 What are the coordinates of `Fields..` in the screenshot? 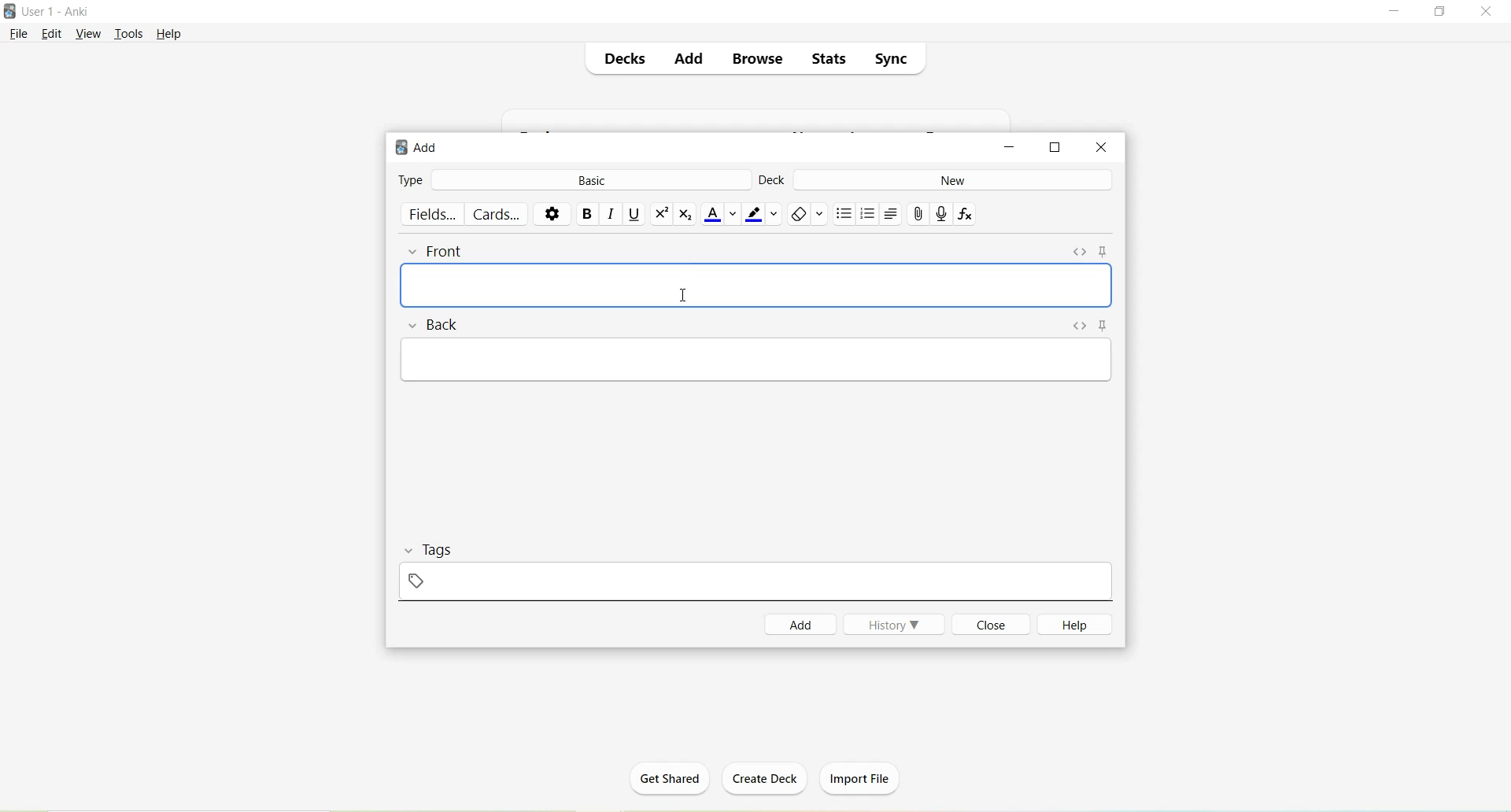 It's located at (433, 214).